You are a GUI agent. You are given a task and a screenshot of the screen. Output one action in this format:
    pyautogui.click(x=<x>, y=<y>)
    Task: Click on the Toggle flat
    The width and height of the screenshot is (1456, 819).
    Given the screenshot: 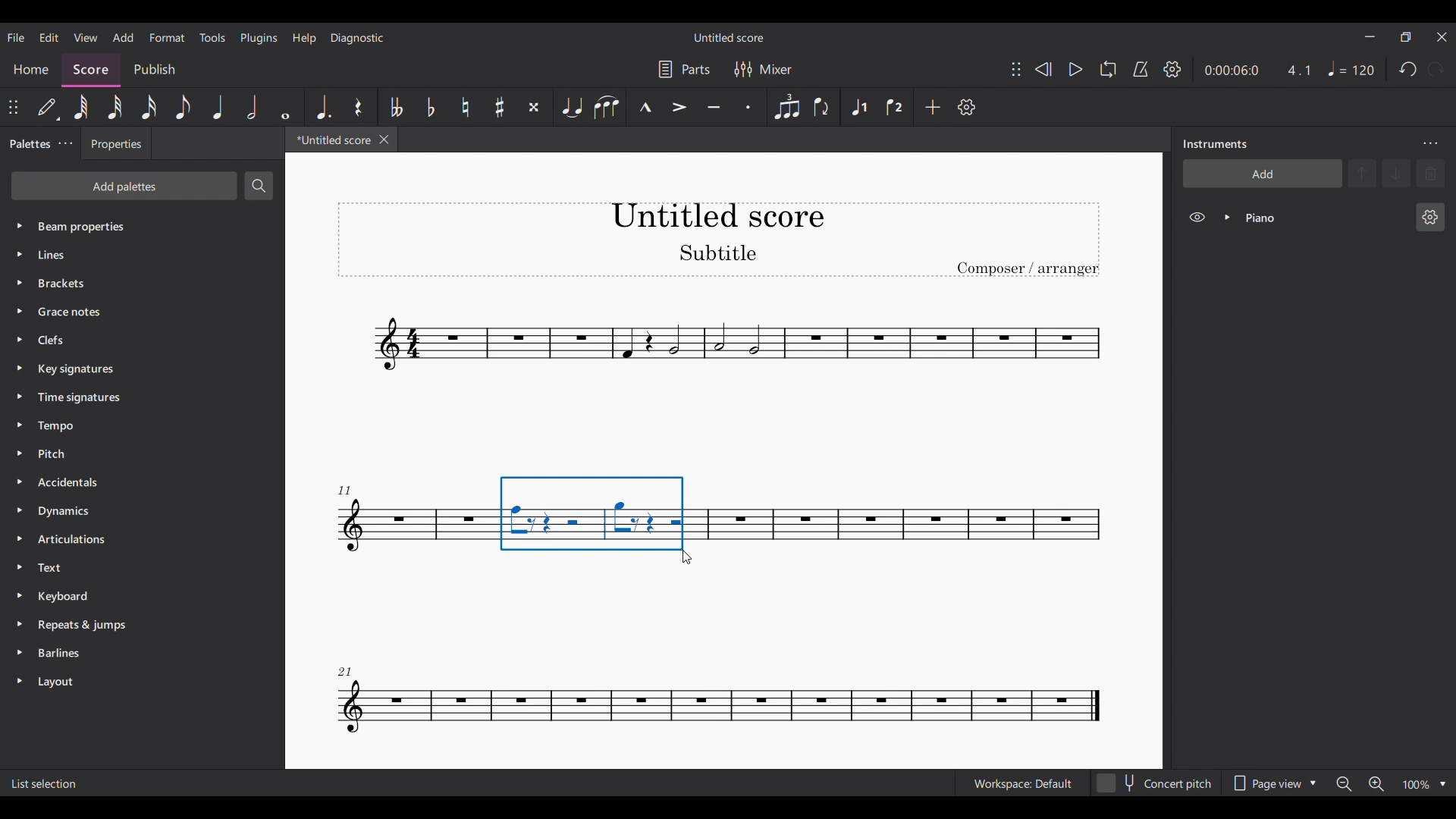 What is the action you would take?
    pyautogui.click(x=431, y=107)
    